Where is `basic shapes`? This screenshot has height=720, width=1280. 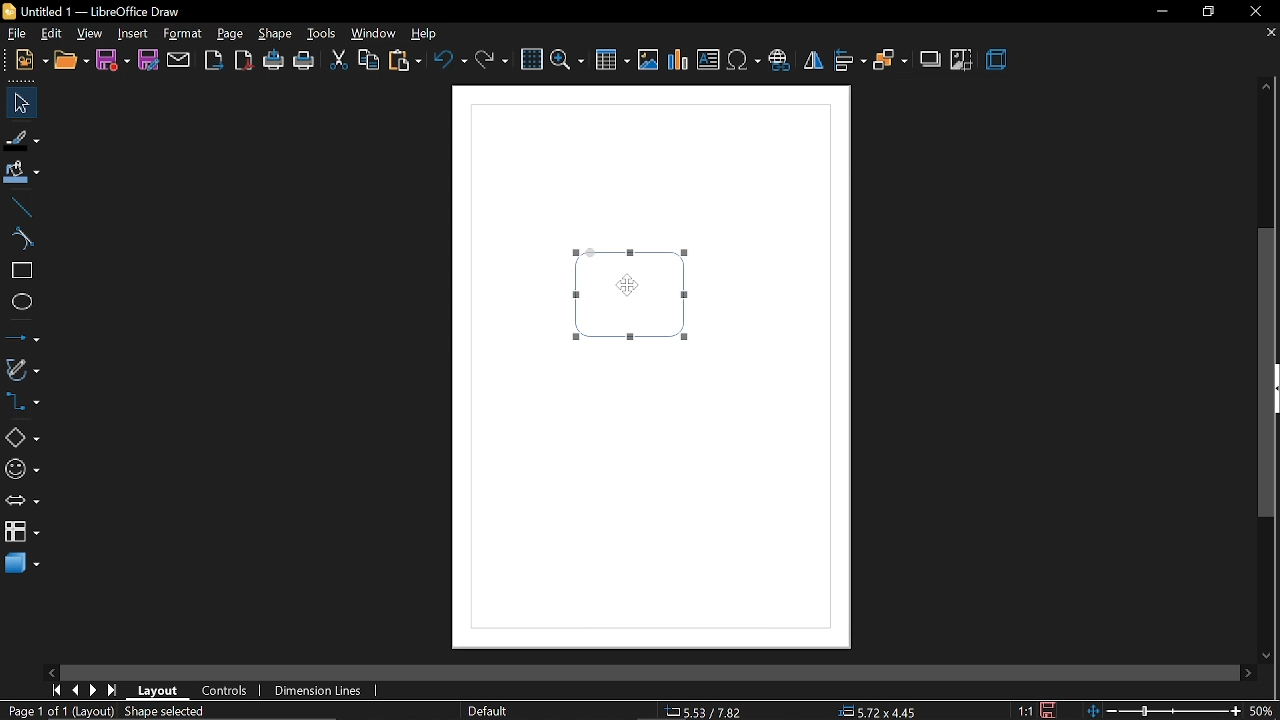
basic shapes is located at coordinates (22, 439).